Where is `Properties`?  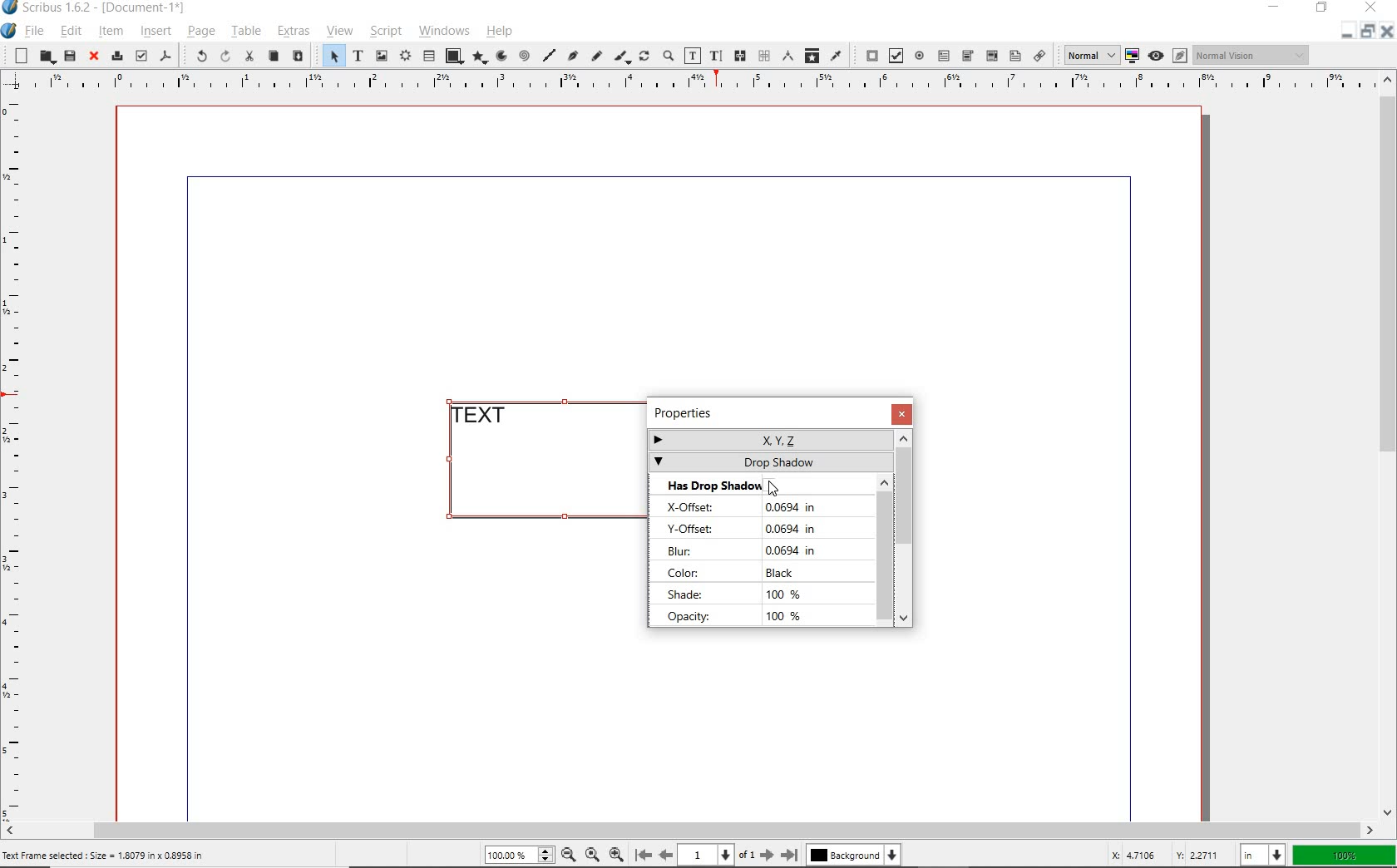
Properties is located at coordinates (704, 412).